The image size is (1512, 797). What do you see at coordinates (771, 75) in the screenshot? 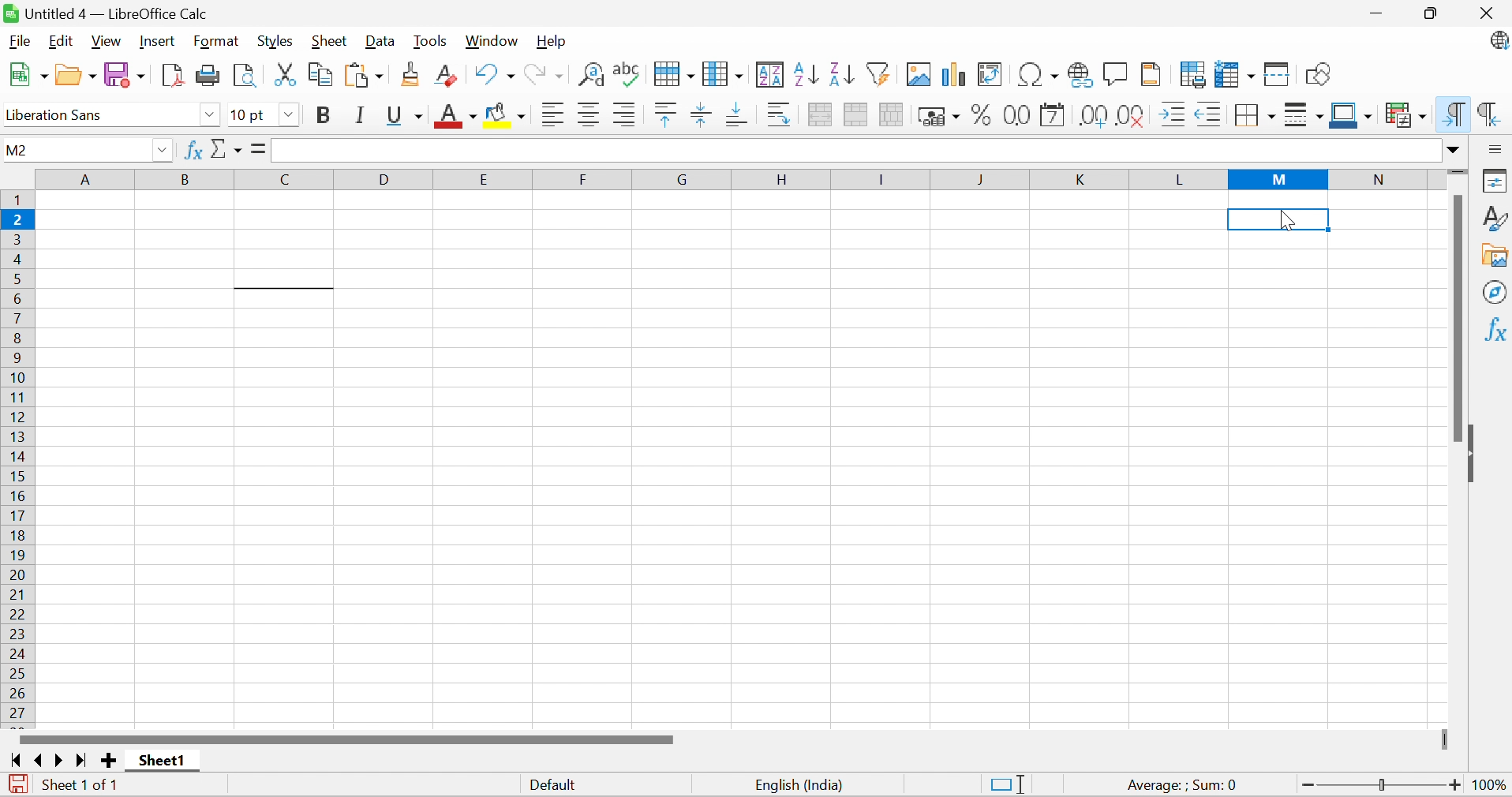
I see `Sort` at bounding box center [771, 75].